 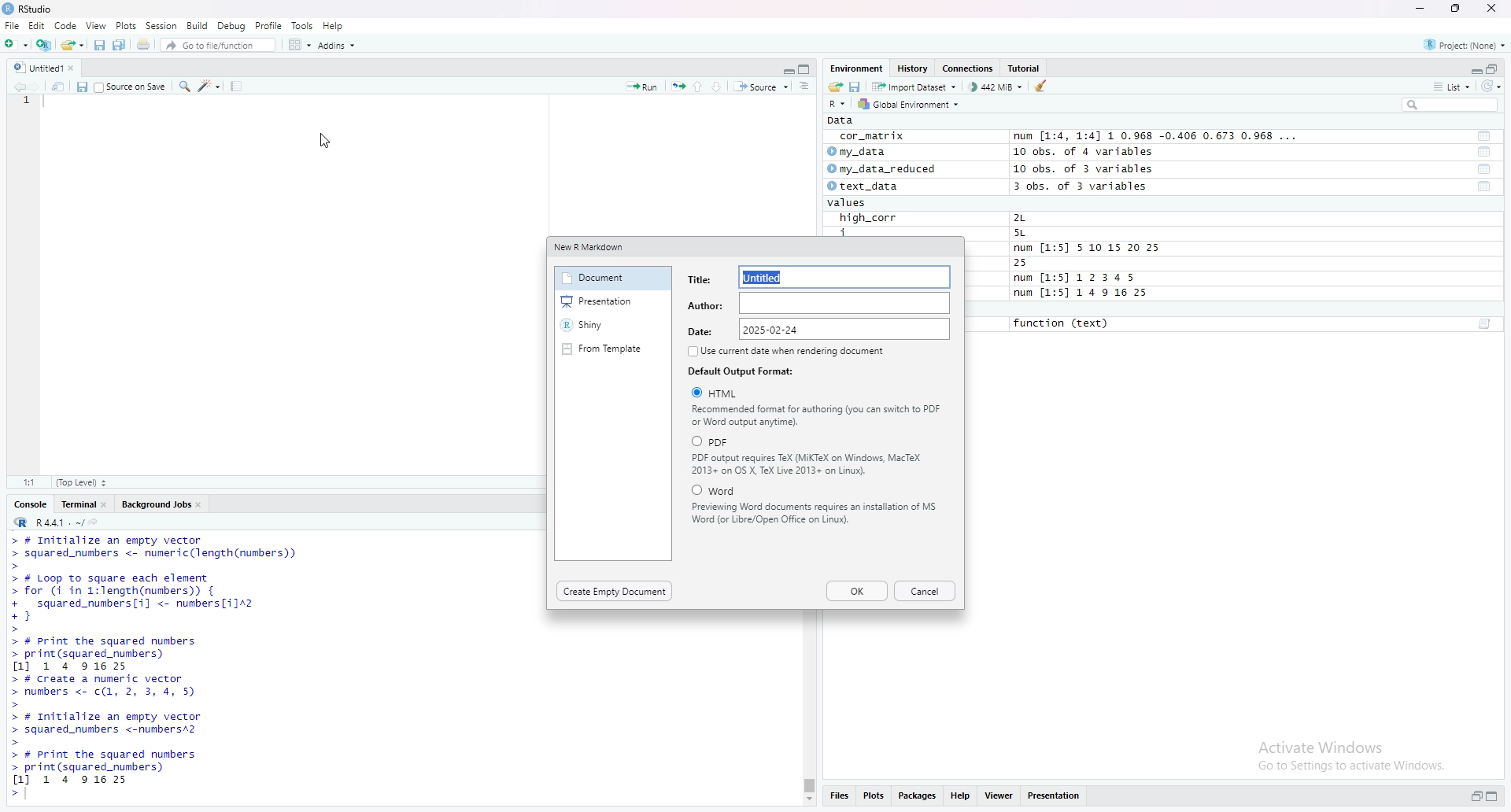 What do you see at coordinates (79, 483) in the screenshot?
I see `Top level ` at bounding box center [79, 483].